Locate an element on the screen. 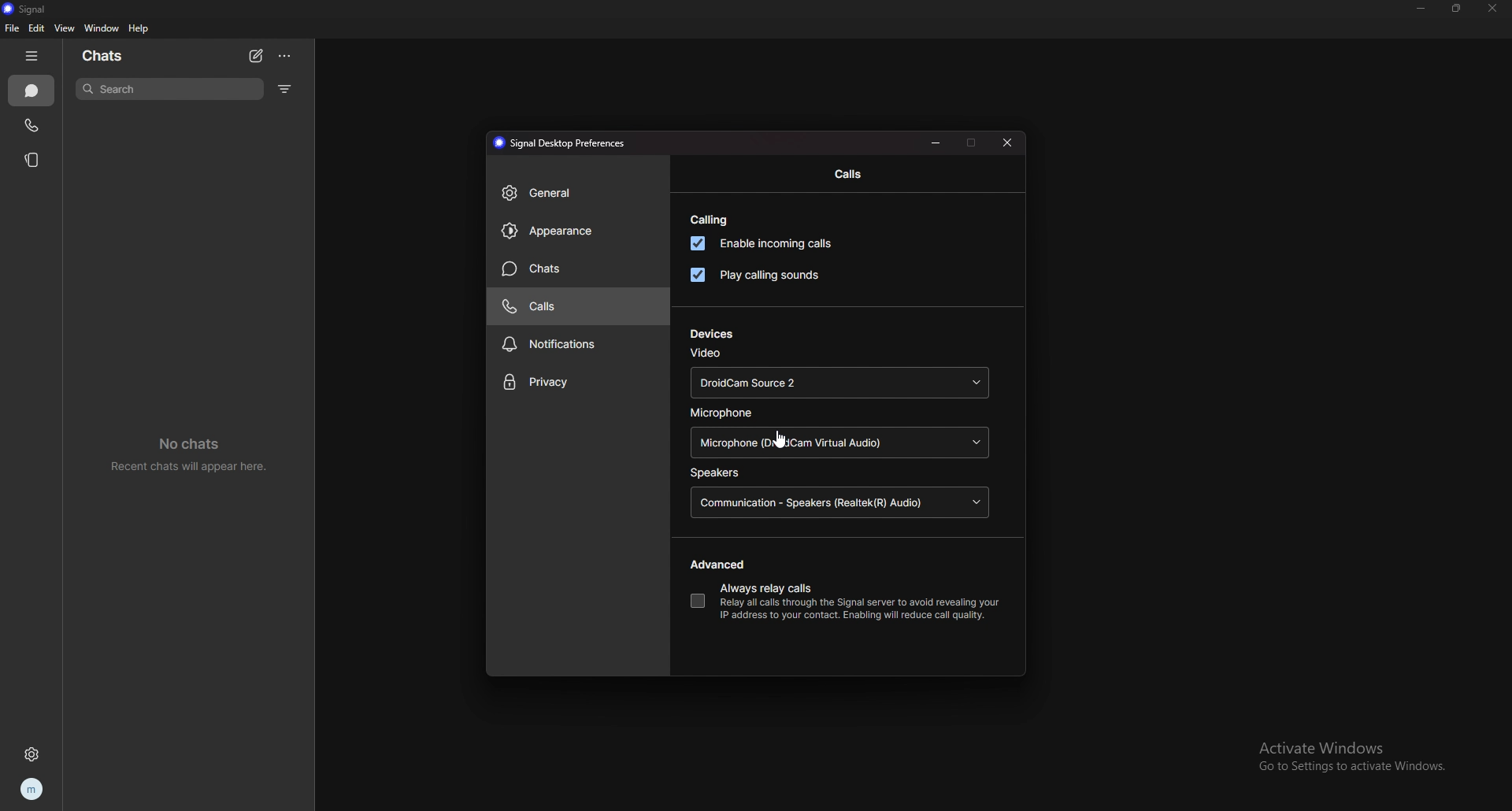 This screenshot has width=1512, height=811. cursor is located at coordinates (784, 439).